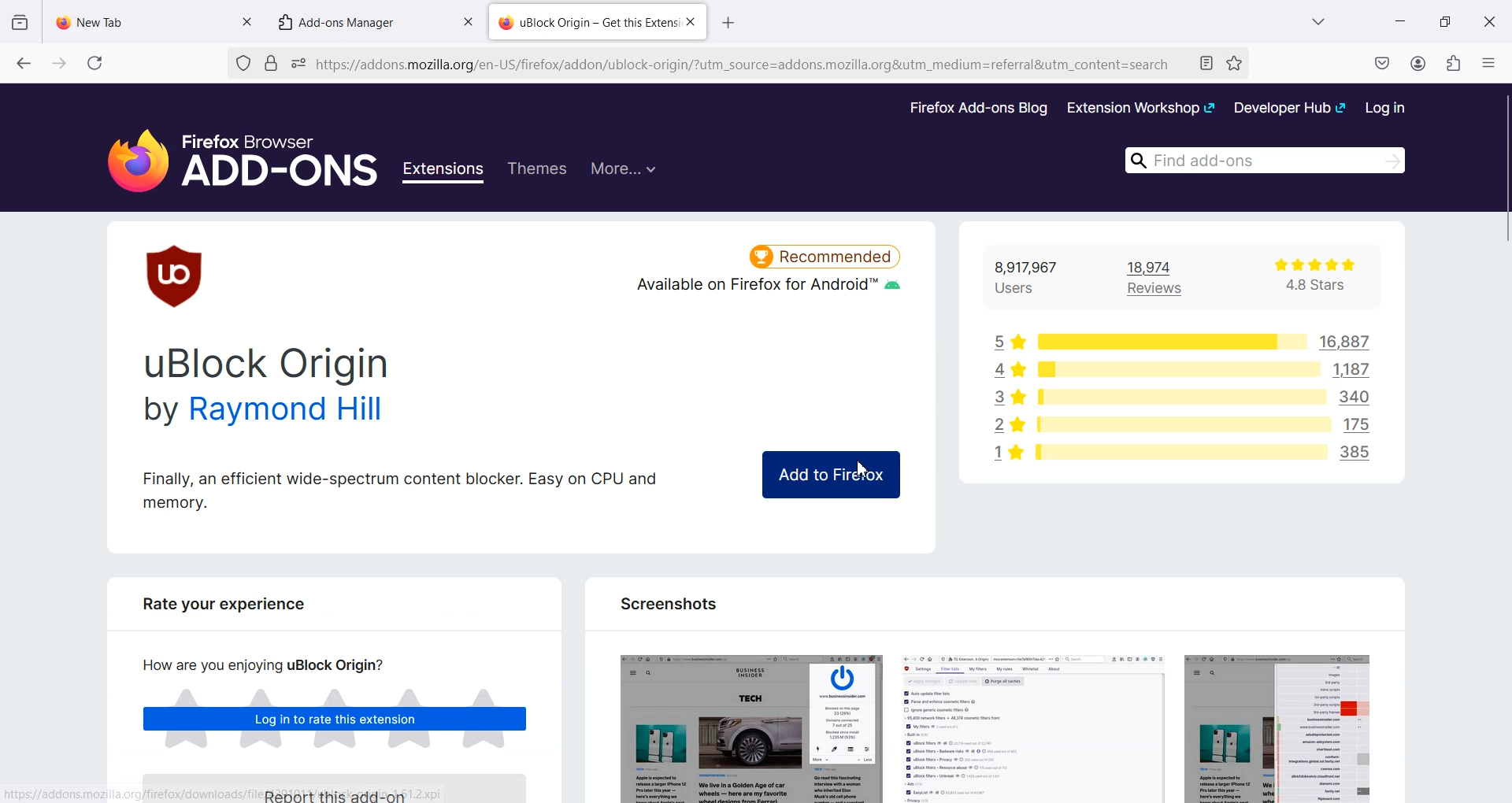 This screenshot has height=803, width=1512. What do you see at coordinates (270, 388) in the screenshot?
I see `uBlock Origin by Raymond Hill` at bounding box center [270, 388].